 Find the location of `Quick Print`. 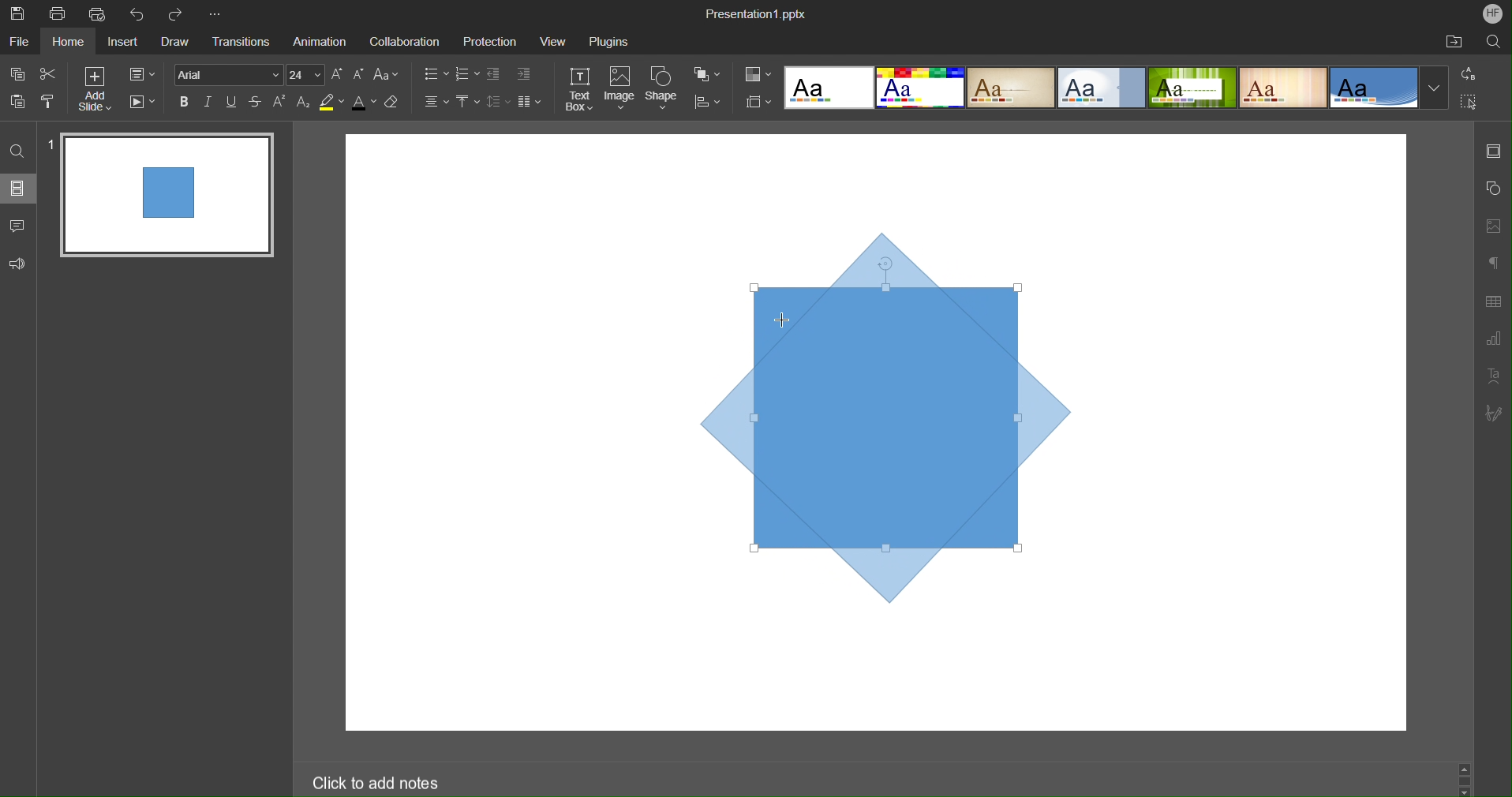

Quick Print is located at coordinates (97, 12).